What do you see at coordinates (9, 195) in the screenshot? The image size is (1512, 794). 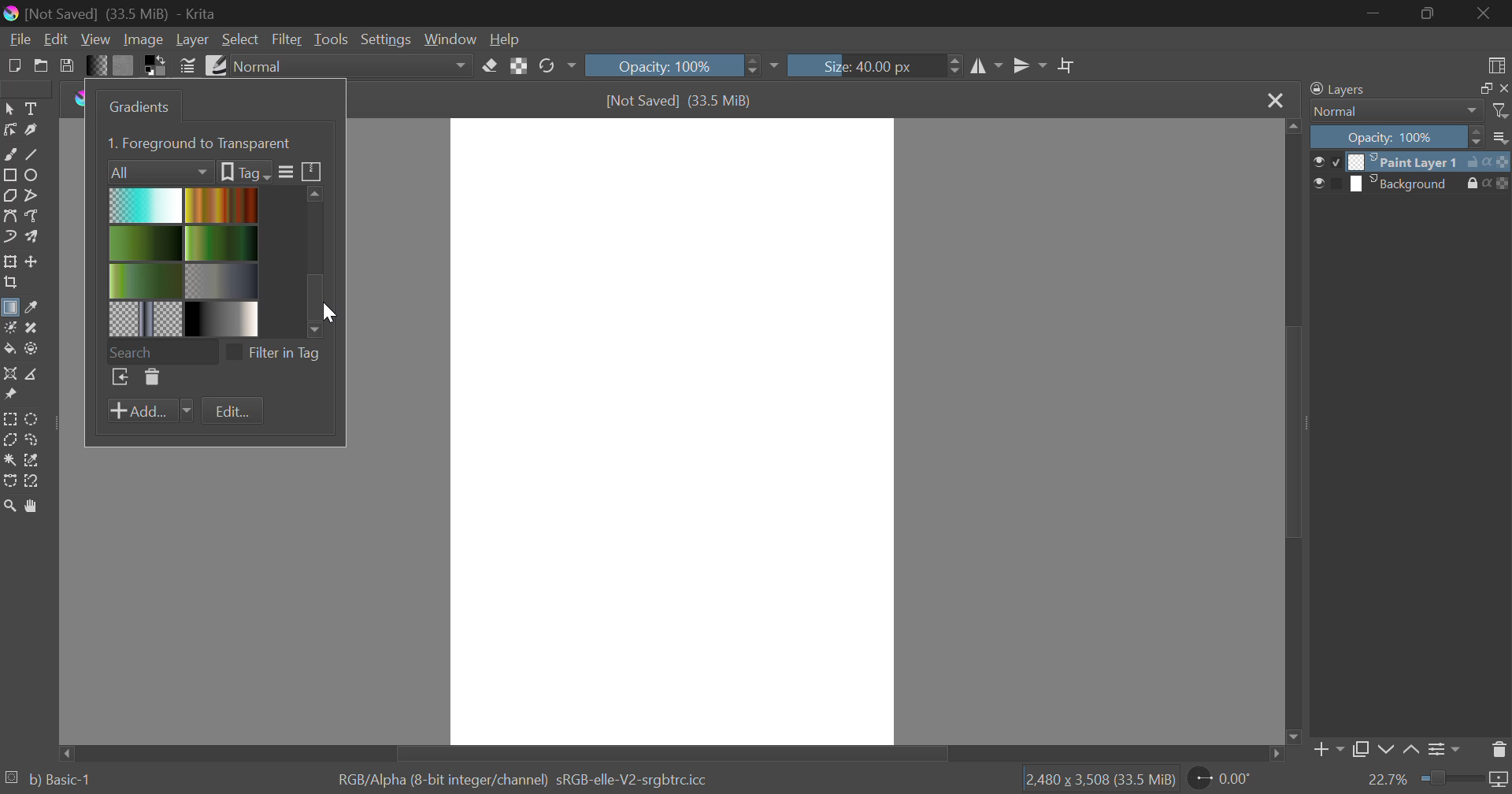 I see `Polygon` at bounding box center [9, 195].